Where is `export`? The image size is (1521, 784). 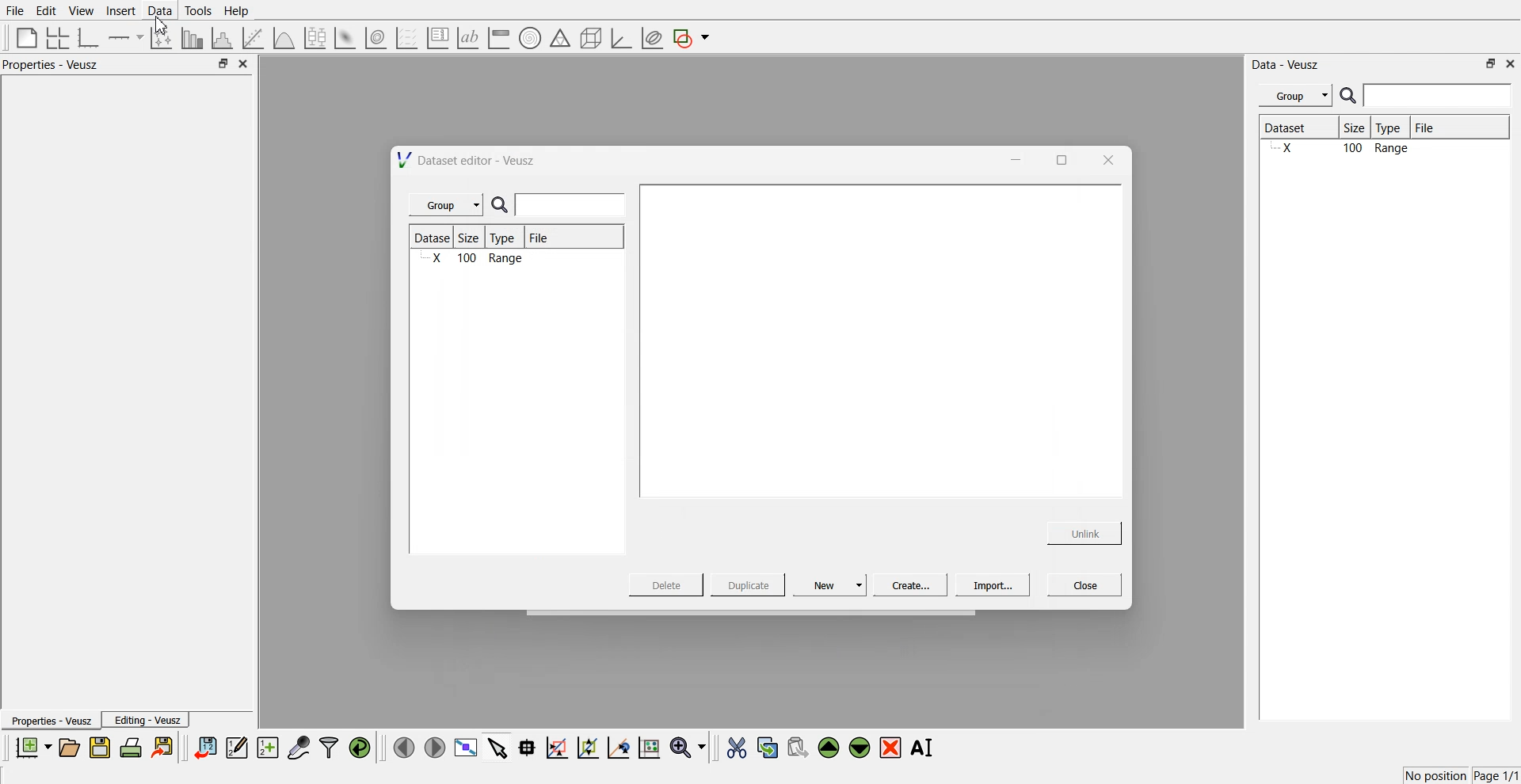 export is located at coordinates (164, 747).